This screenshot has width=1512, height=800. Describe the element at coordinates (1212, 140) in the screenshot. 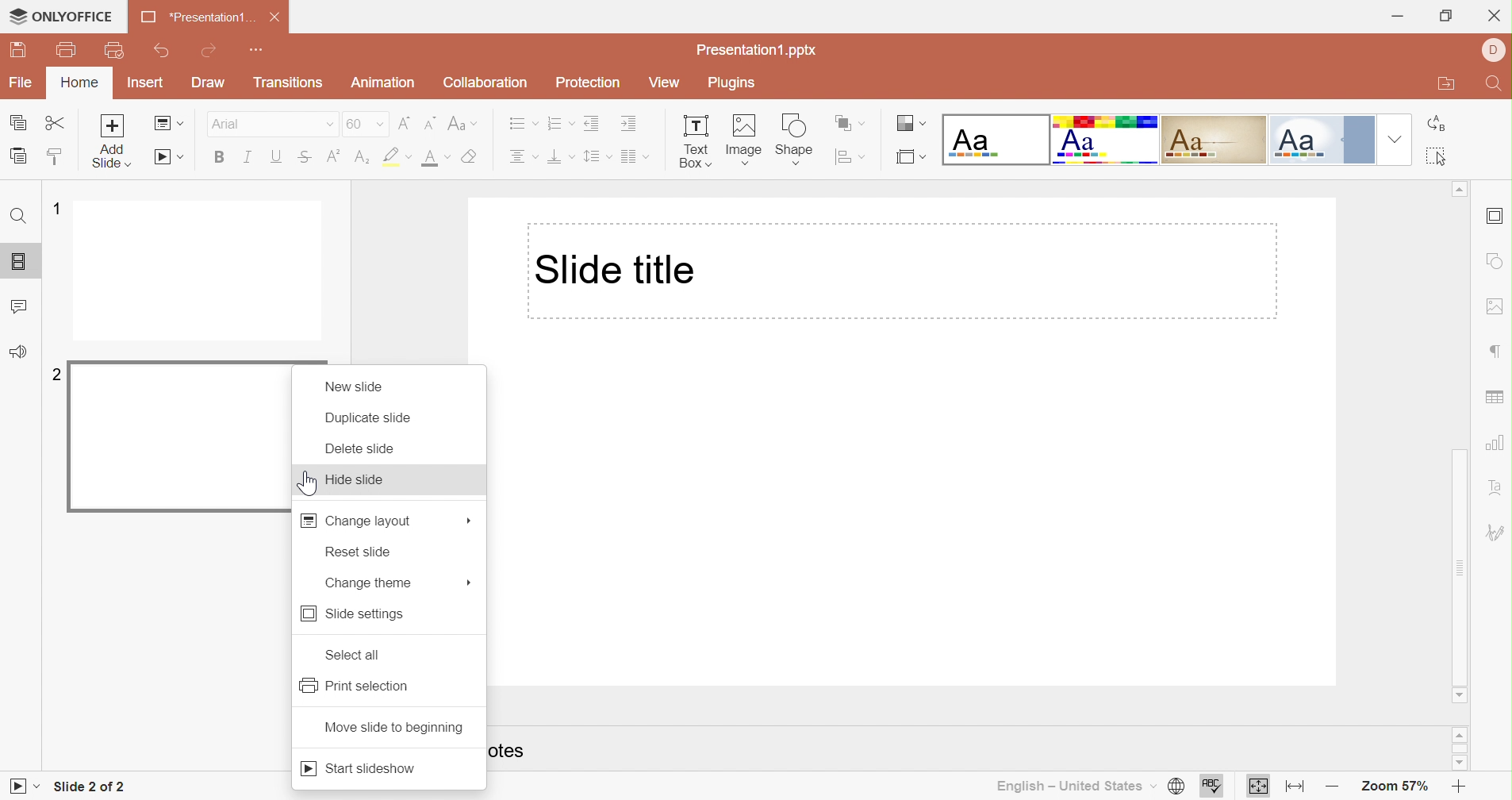

I see `Classic` at that location.